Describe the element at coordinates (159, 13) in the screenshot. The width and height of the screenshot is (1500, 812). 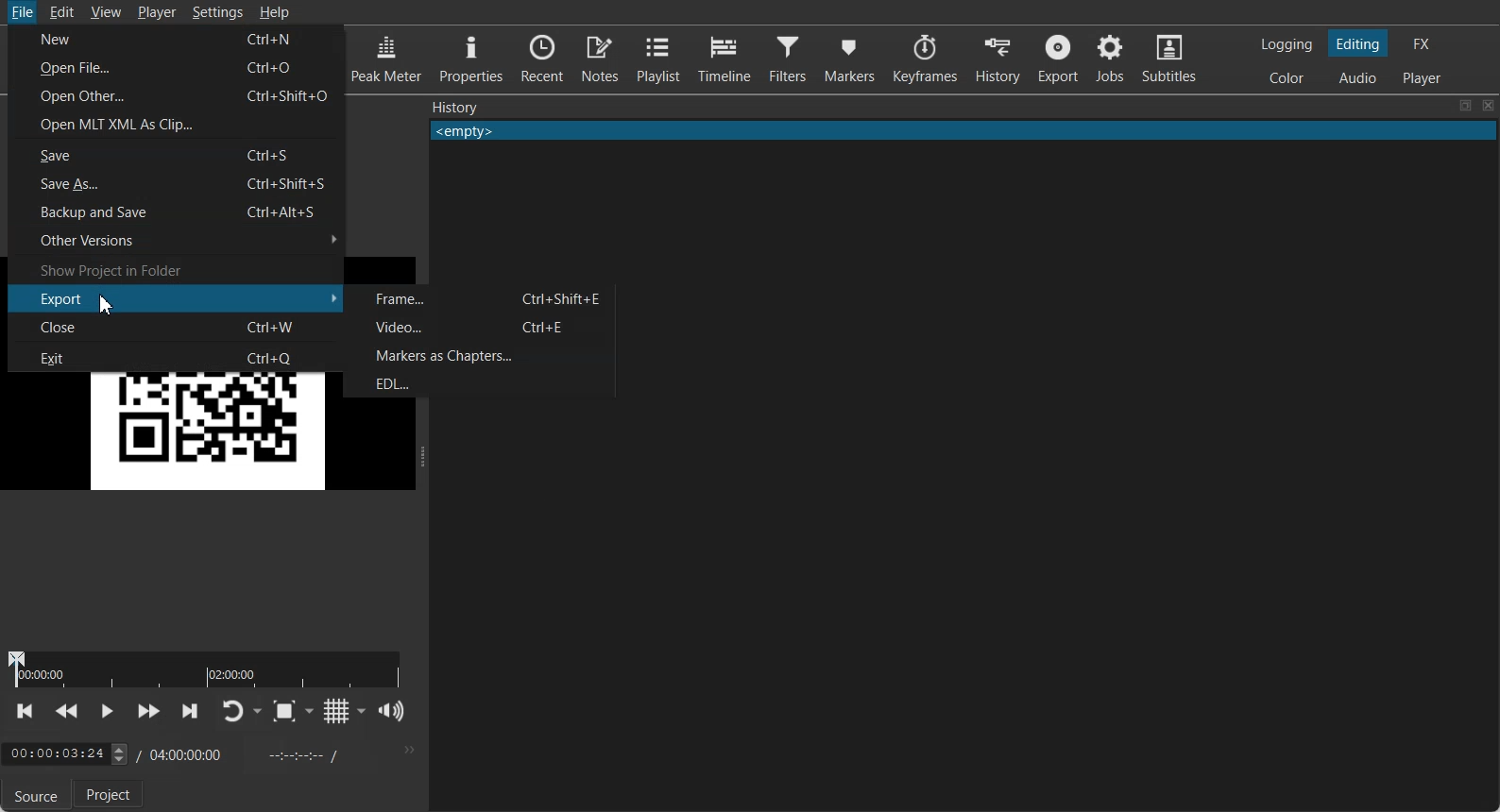
I see `Player` at that location.